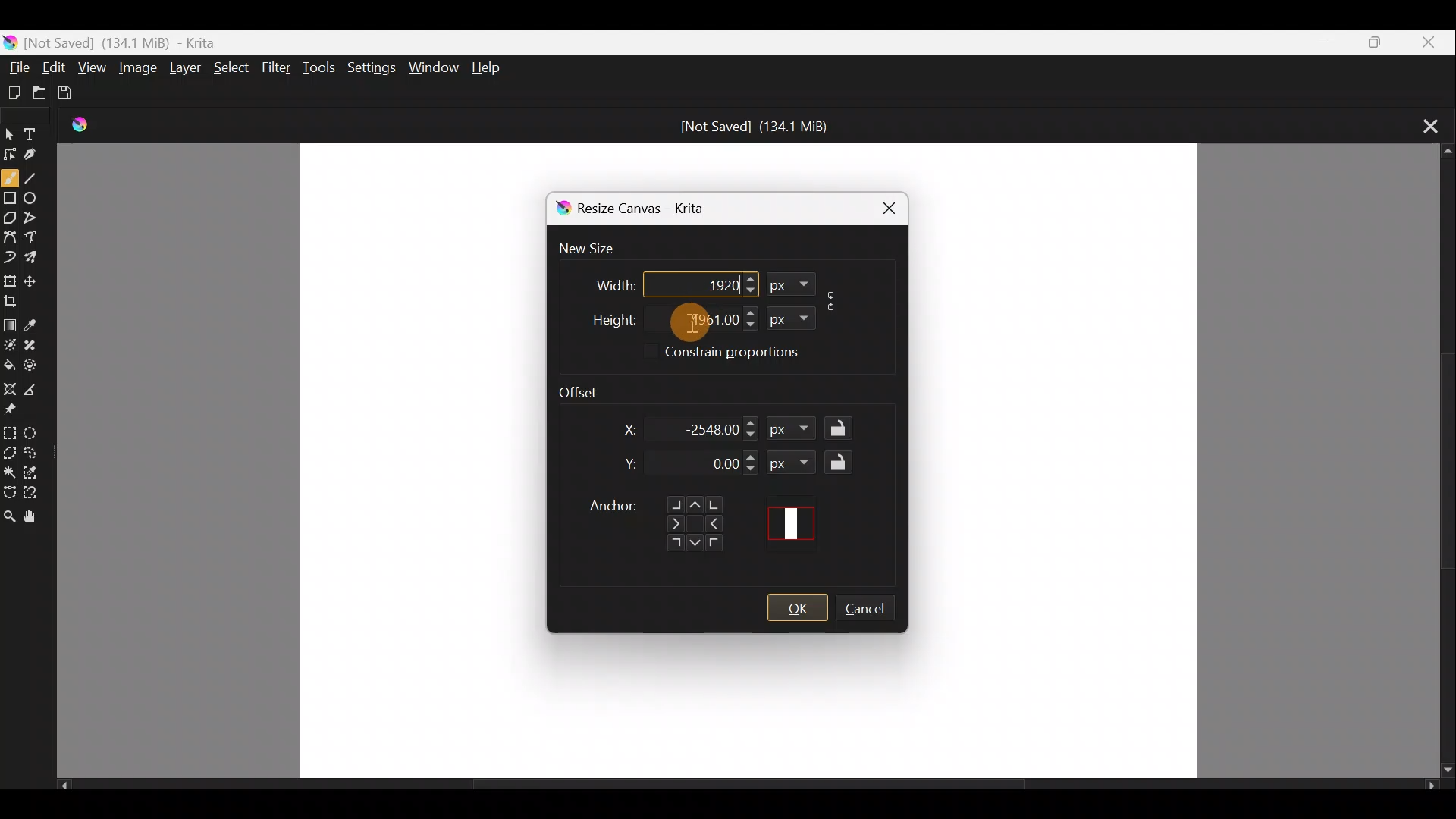 This screenshot has height=819, width=1456. What do you see at coordinates (37, 321) in the screenshot?
I see `Sample a colour from the image/current layer` at bounding box center [37, 321].